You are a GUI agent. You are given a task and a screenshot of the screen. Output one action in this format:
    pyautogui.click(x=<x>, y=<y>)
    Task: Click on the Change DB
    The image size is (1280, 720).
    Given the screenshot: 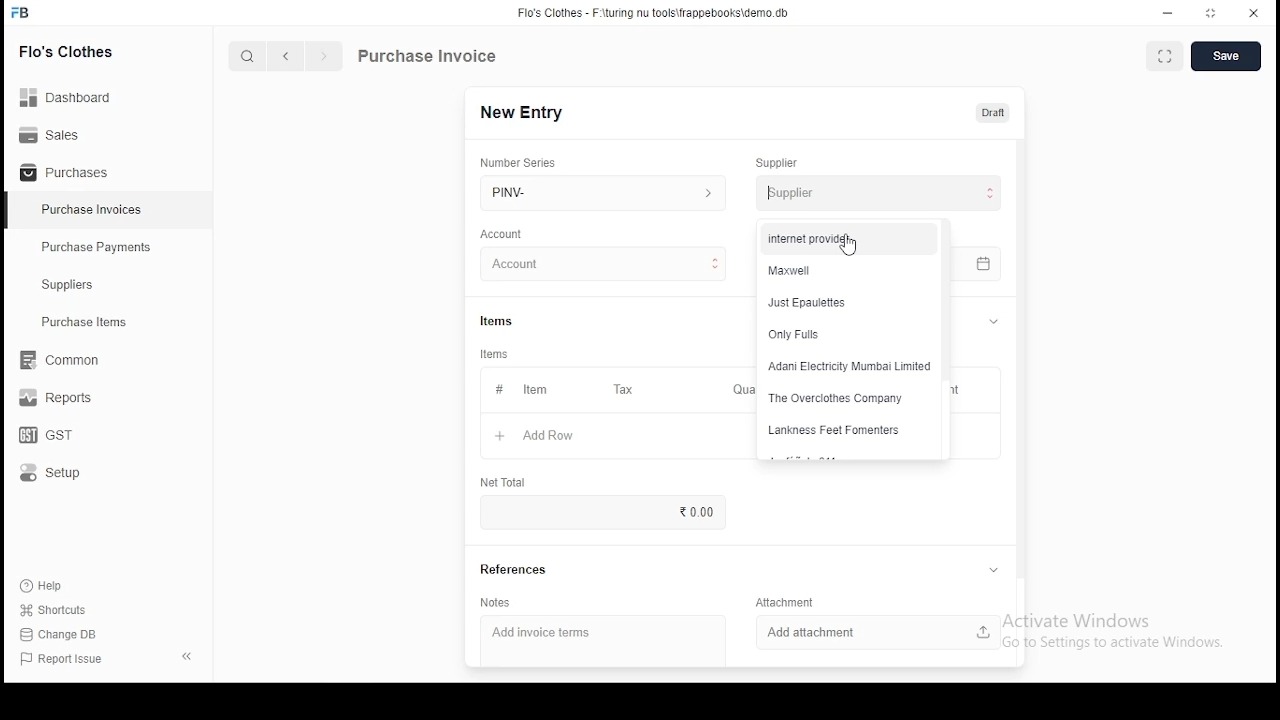 What is the action you would take?
    pyautogui.click(x=65, y=635)
    